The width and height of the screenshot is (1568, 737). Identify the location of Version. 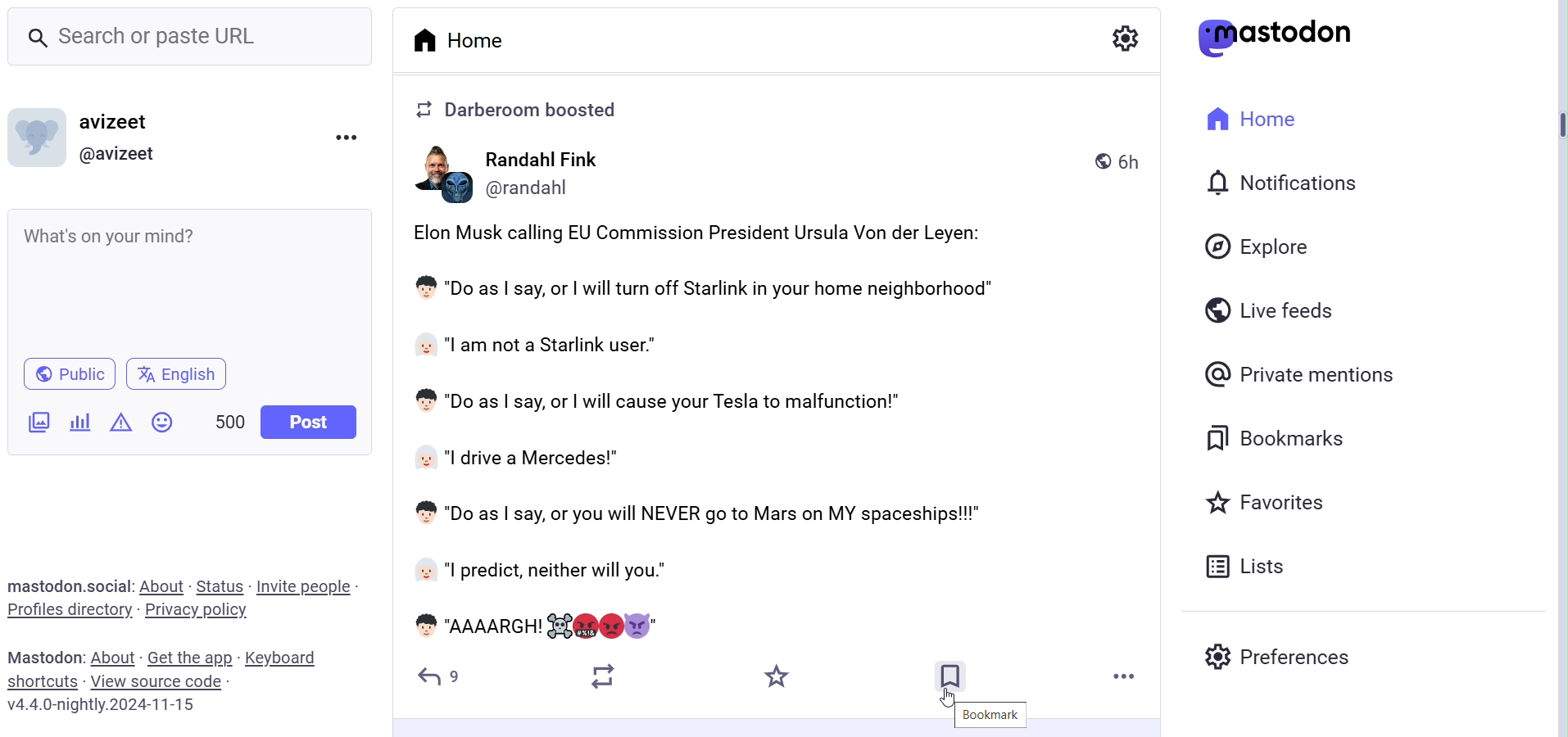
(103, 704).